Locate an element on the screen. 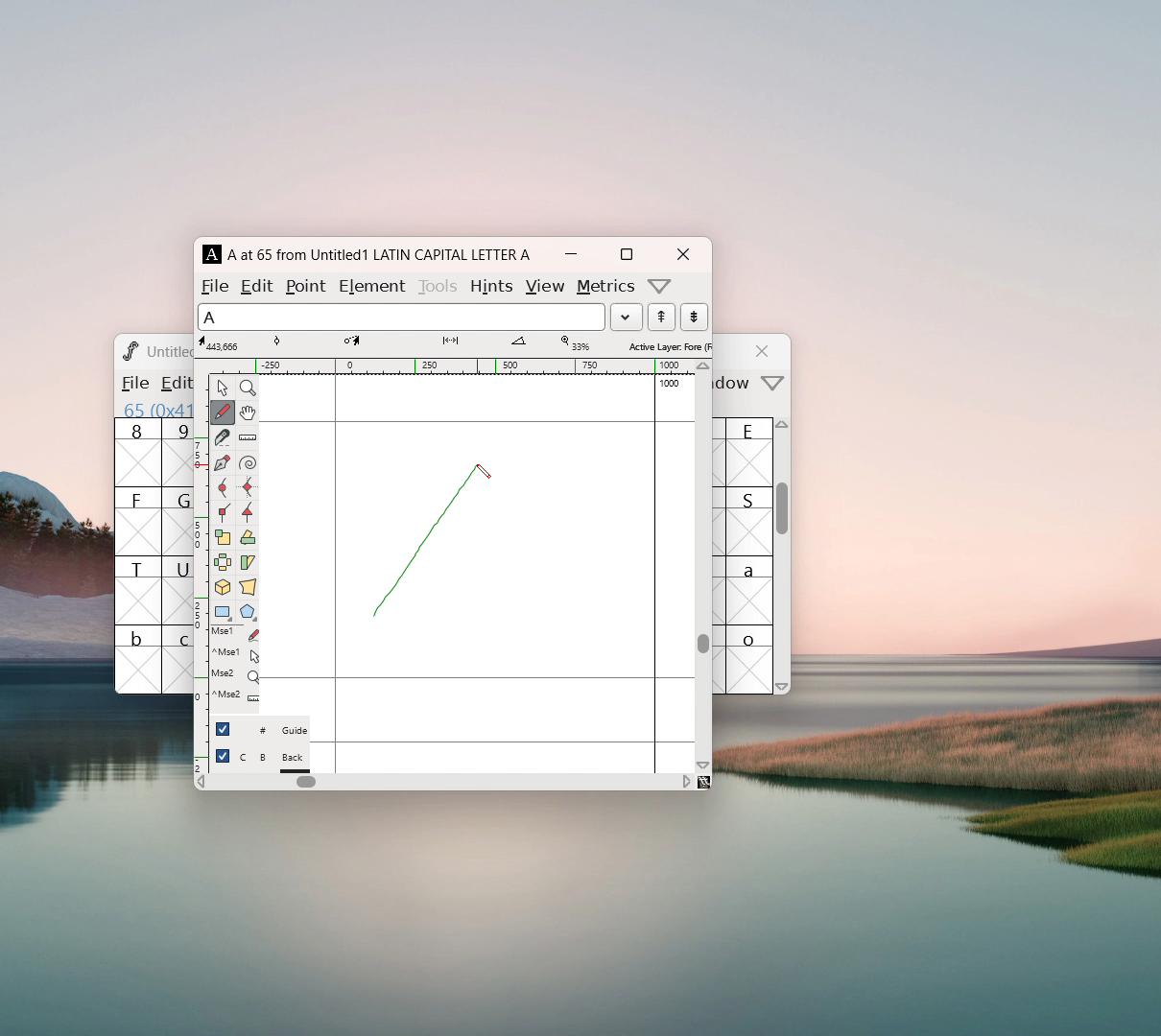 This screenshot has width=1161, height=1036. draw a freehand curve is located at coordinates (223, 412).